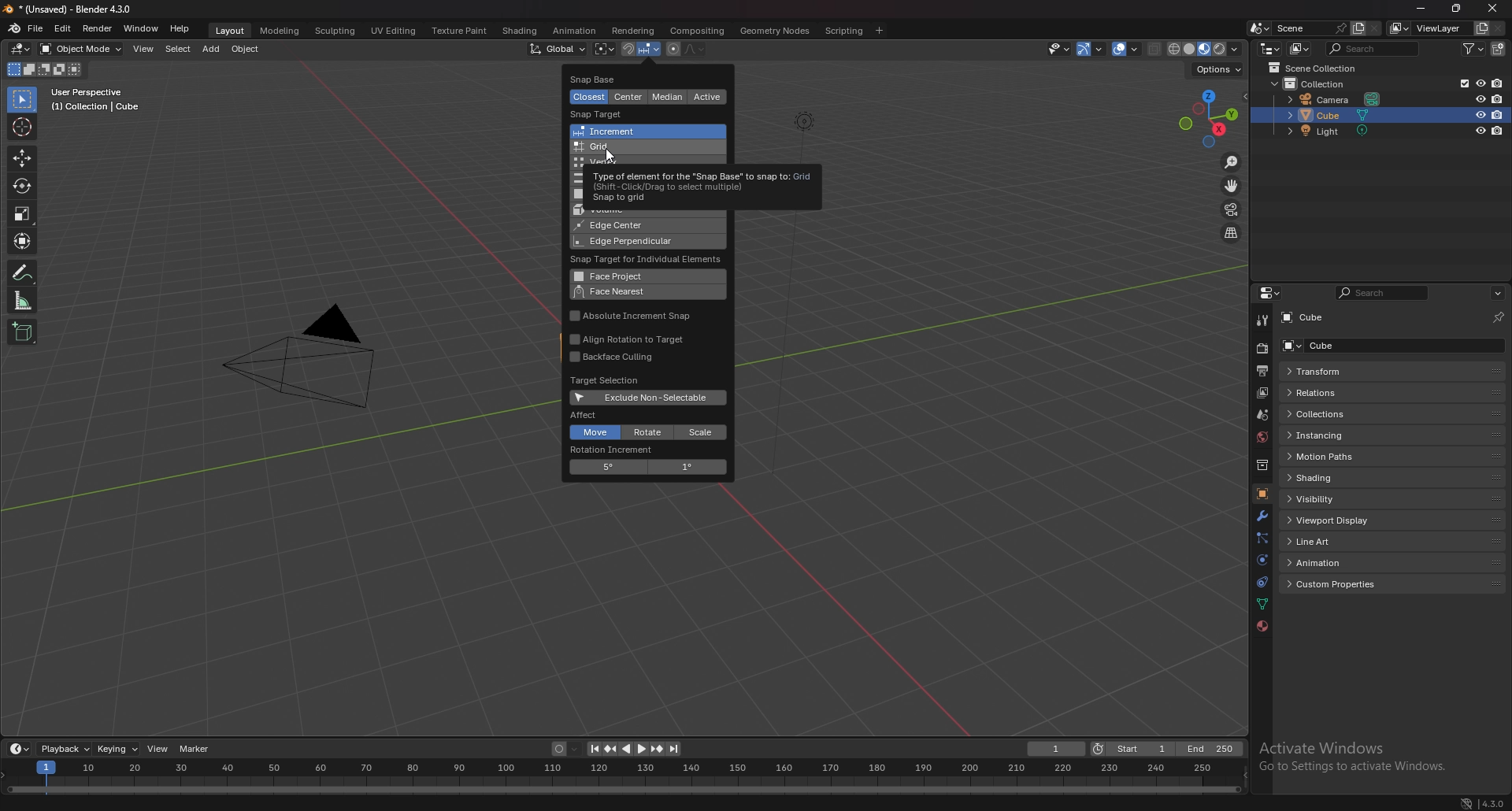 Image resolution: width=1512 pixels, height=811 pixels. I want to click on particles, so click(1261, 537).